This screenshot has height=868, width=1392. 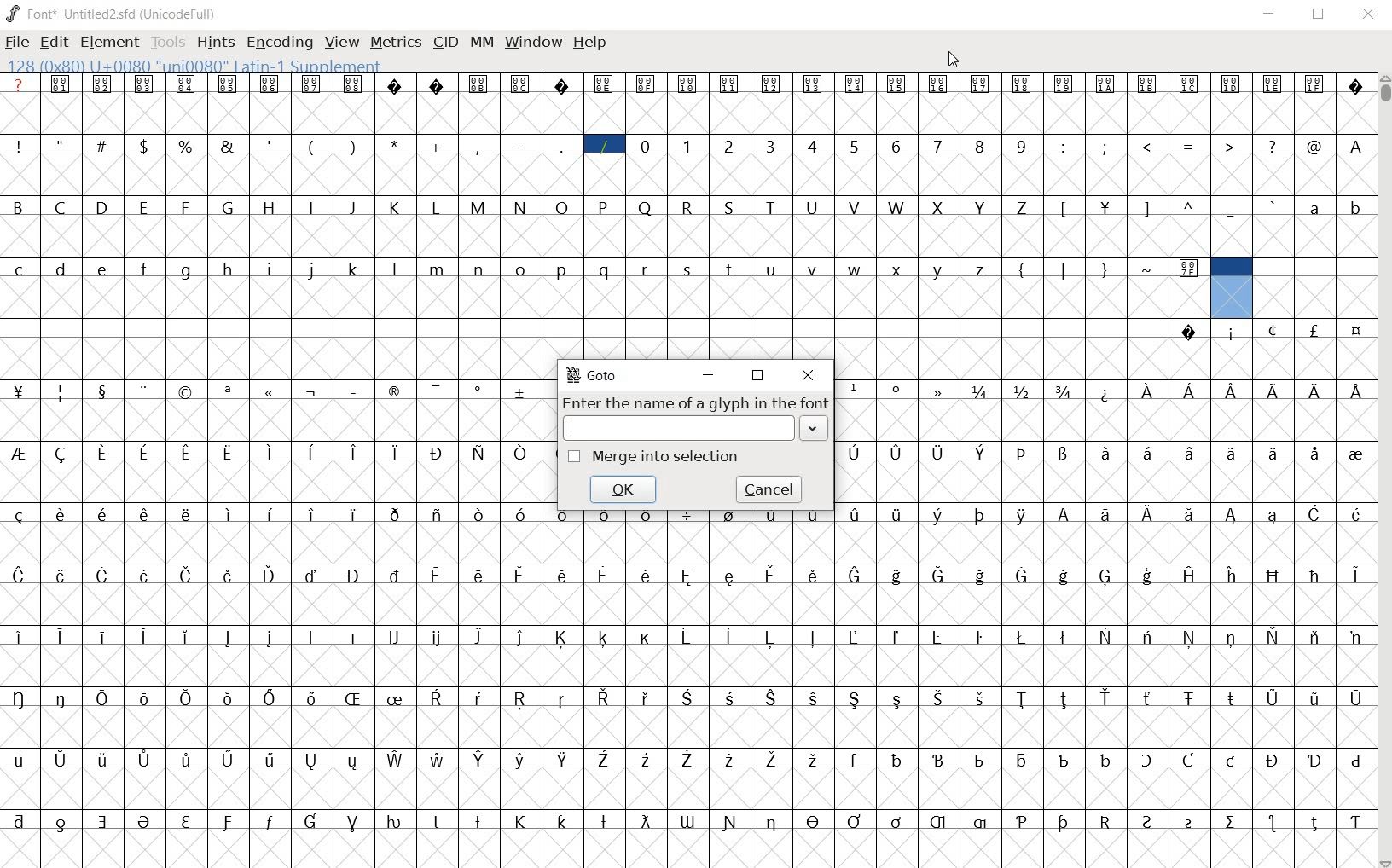 What do you see at coordinates (606, 206) in the screenshot?
I see `P` at bounding box center [606, 206].